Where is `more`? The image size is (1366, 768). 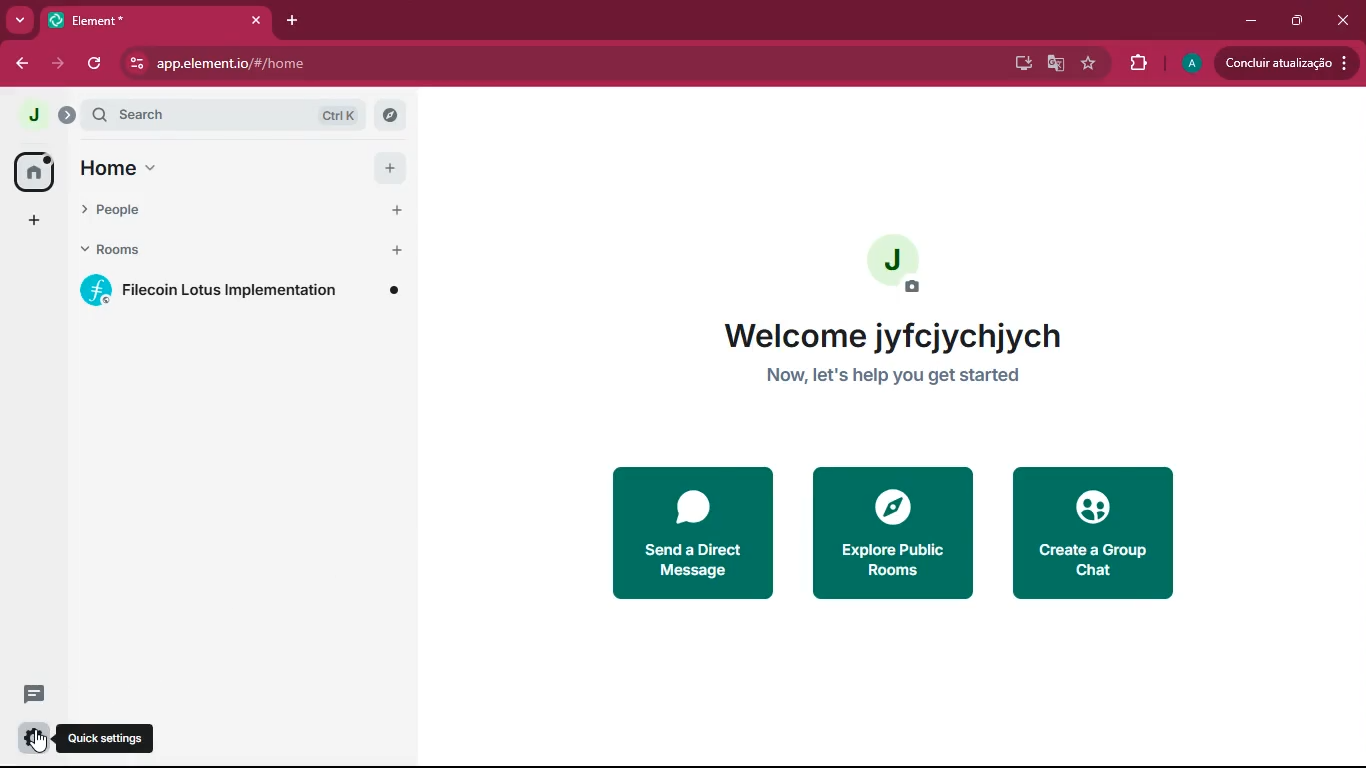 more is located at coordinates (21, 19).